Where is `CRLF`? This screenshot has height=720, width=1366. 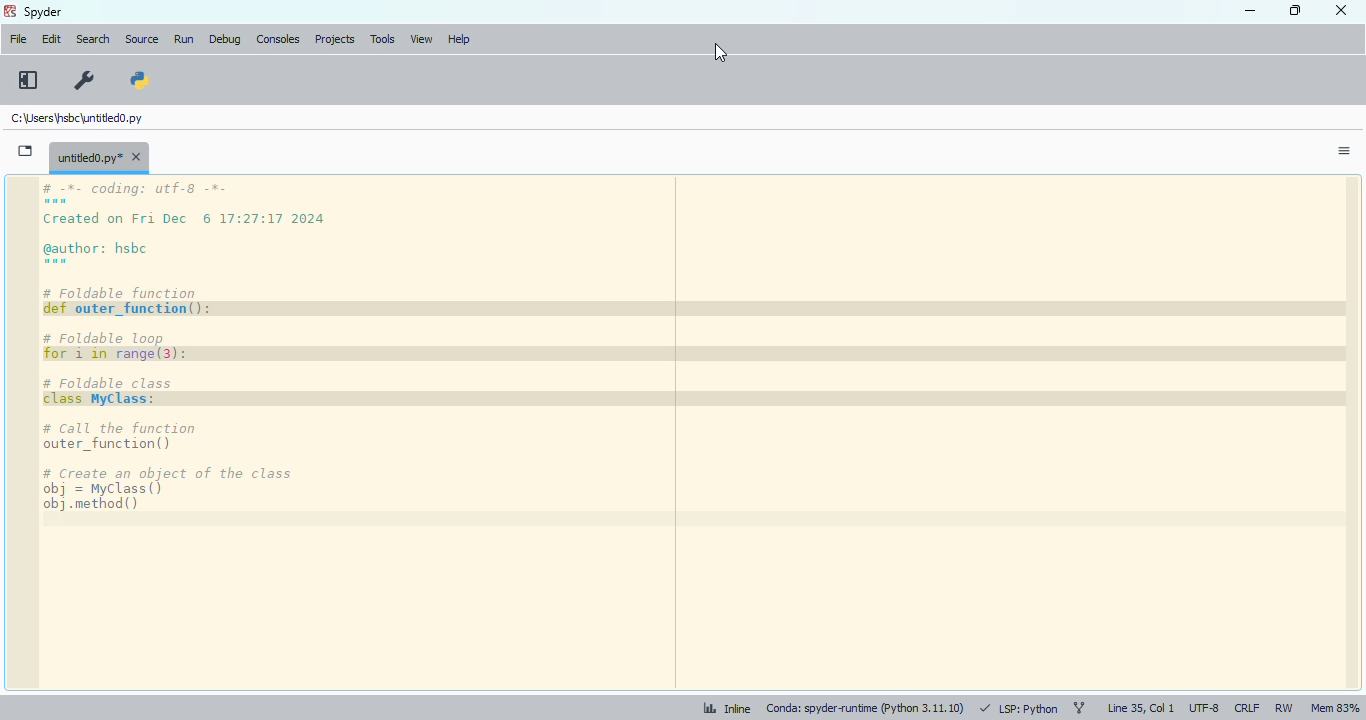 CRLF is located at coordinates (1247, 707).